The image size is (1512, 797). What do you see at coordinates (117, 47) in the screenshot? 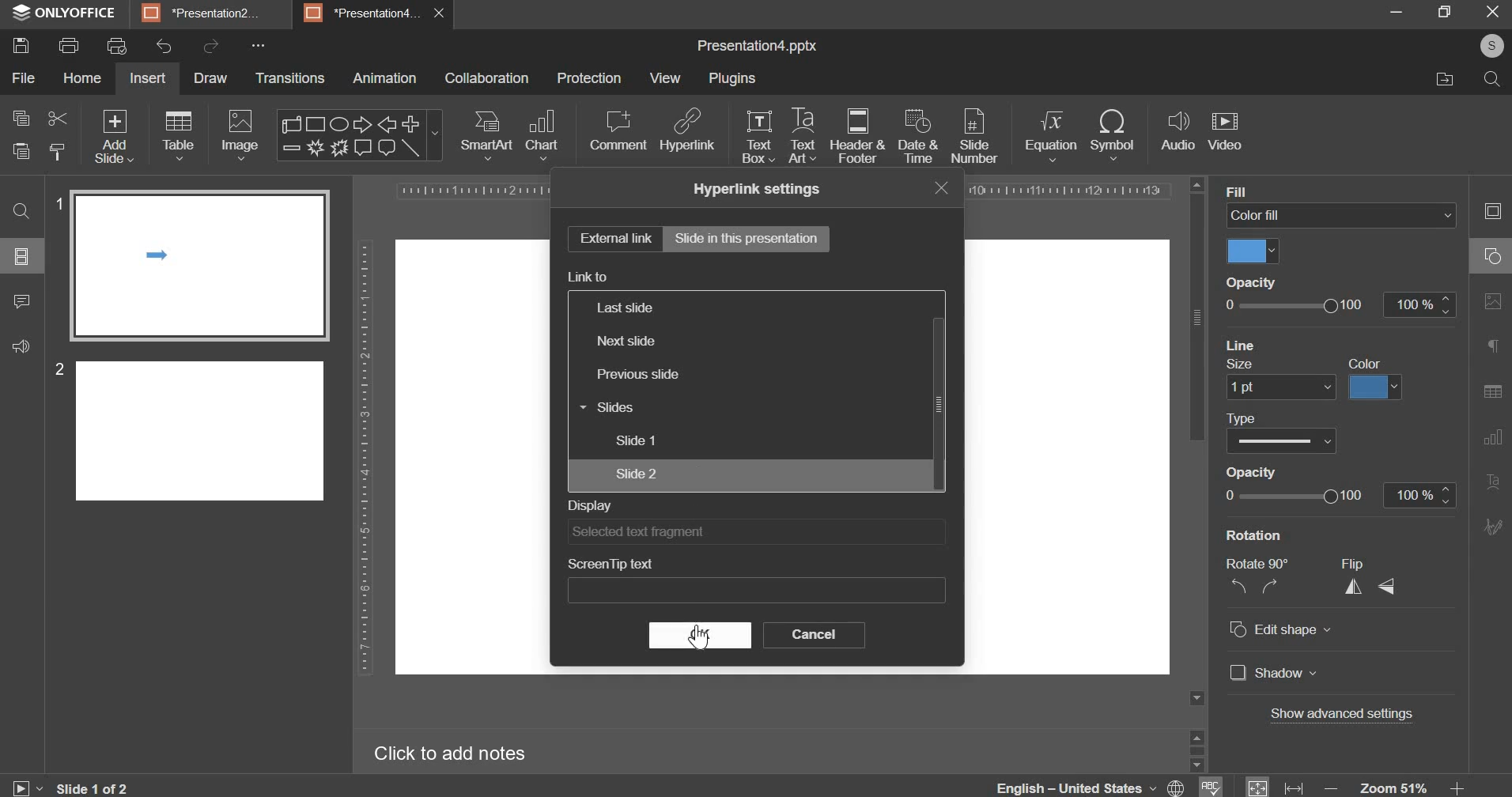
I see `print preview` at bounding box center [117, 47].